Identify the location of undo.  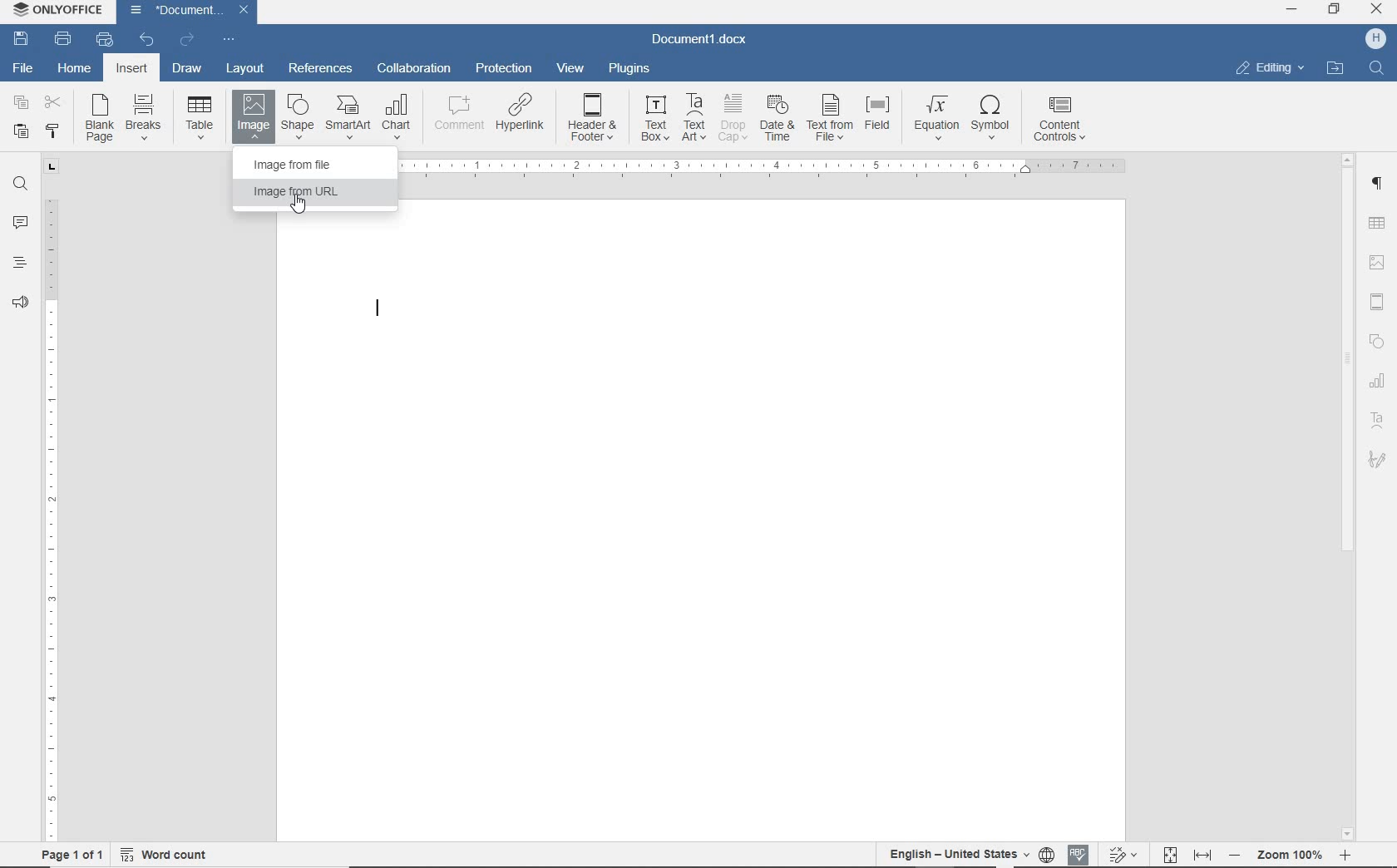
(146, 40).